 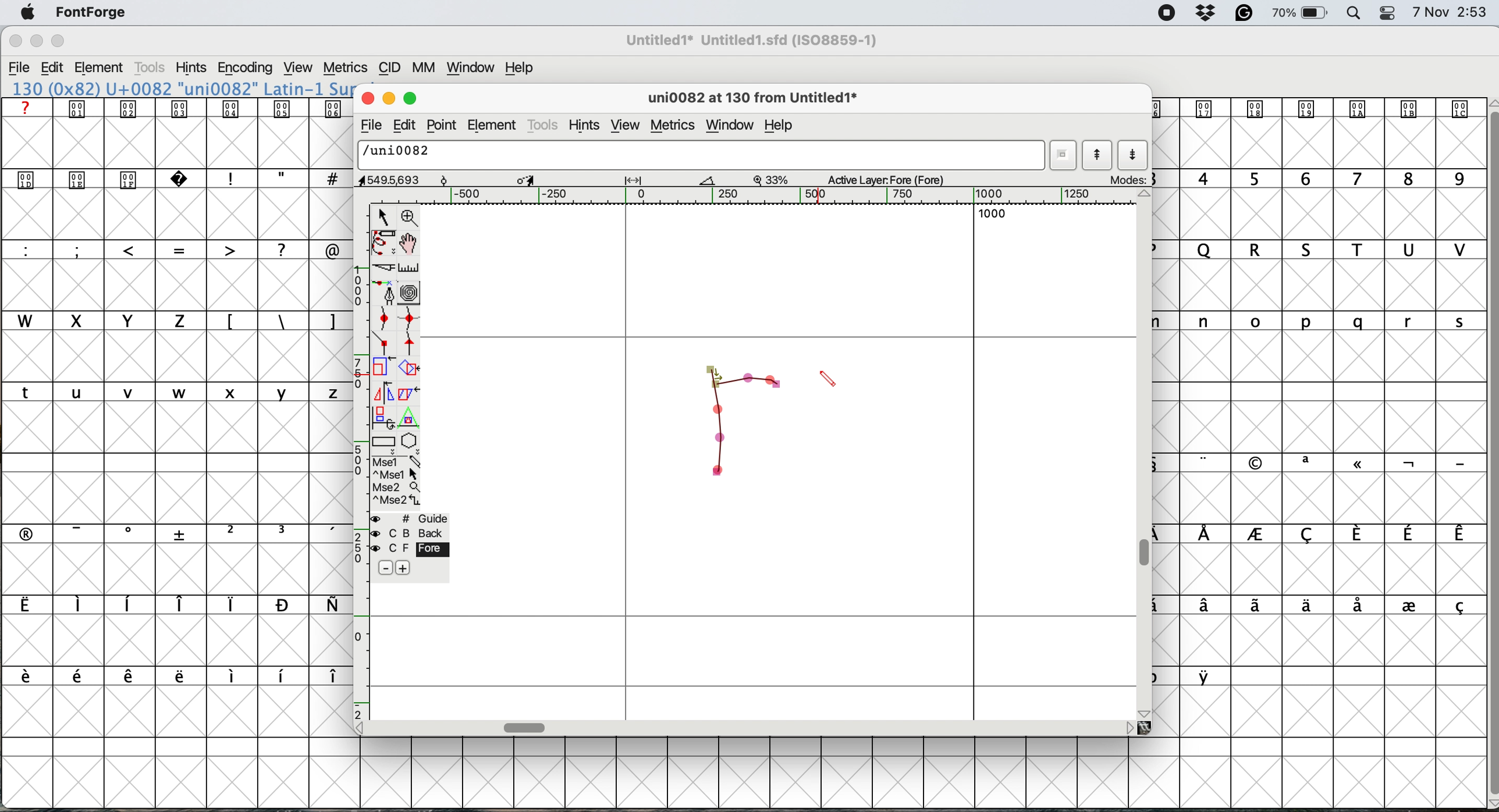 What do you see at coordinates (409, 533) in the screenshot?
I see `back` at bounding box center [409, 533].